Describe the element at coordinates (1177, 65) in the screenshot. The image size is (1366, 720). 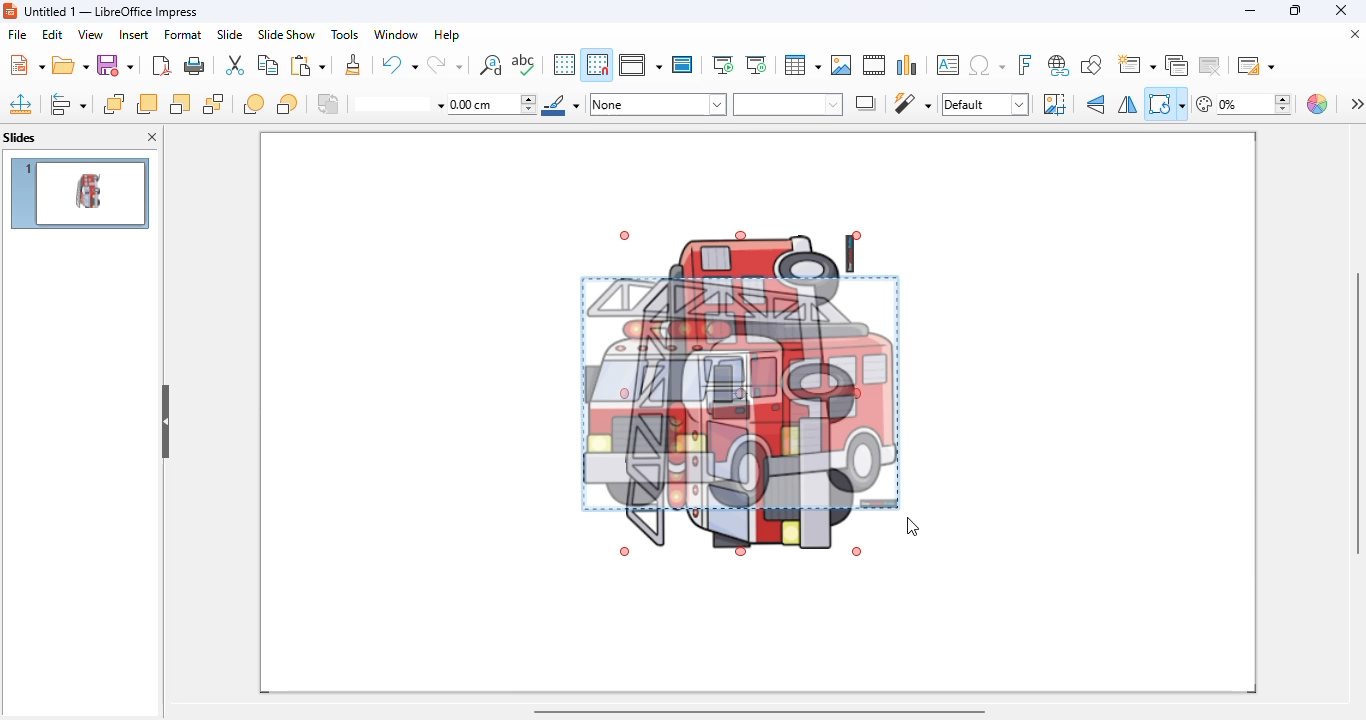
I see `duplicate slide` at that location.